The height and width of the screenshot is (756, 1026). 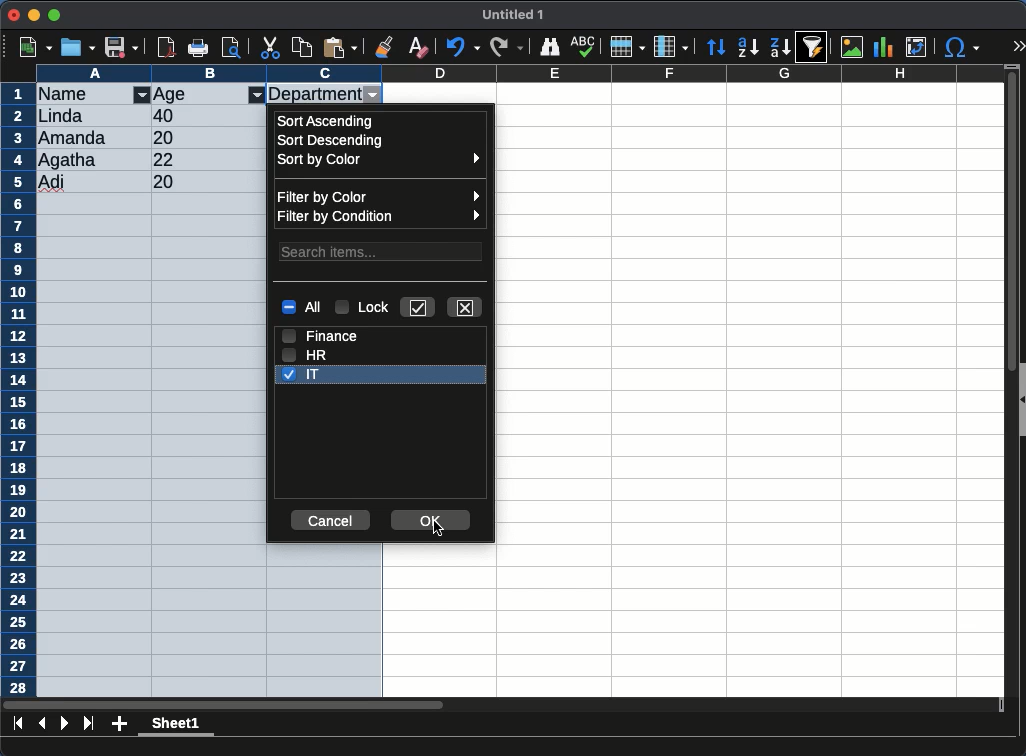 What do you see at coordinates (166, 49) in the screenshot?
I see `pdf reader` at bounding box center [166, 49].